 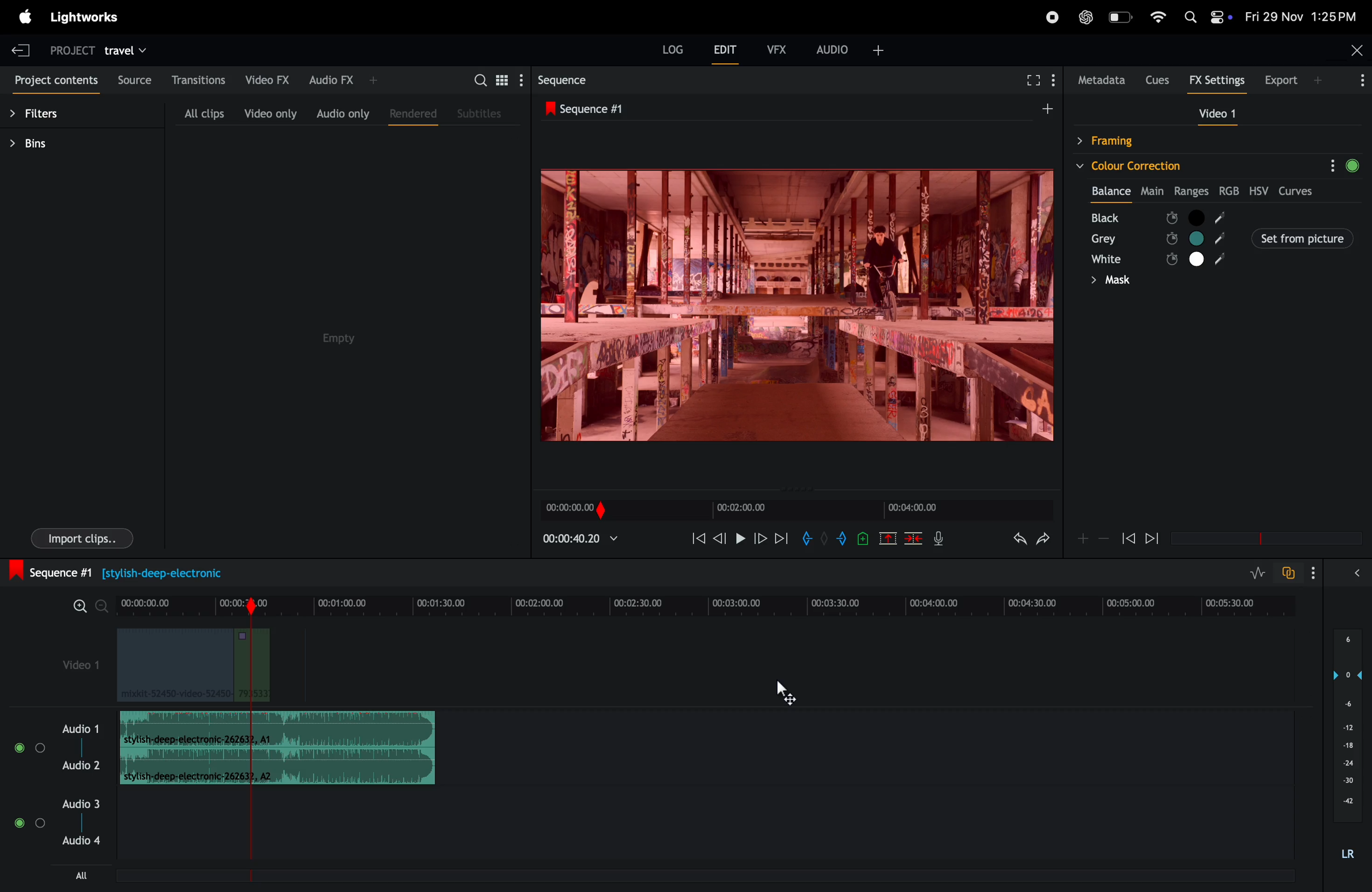 What do you see at coordinates (83, 842) in the screenshot?
I see `Audio 4` at bounding box center [83, 842].